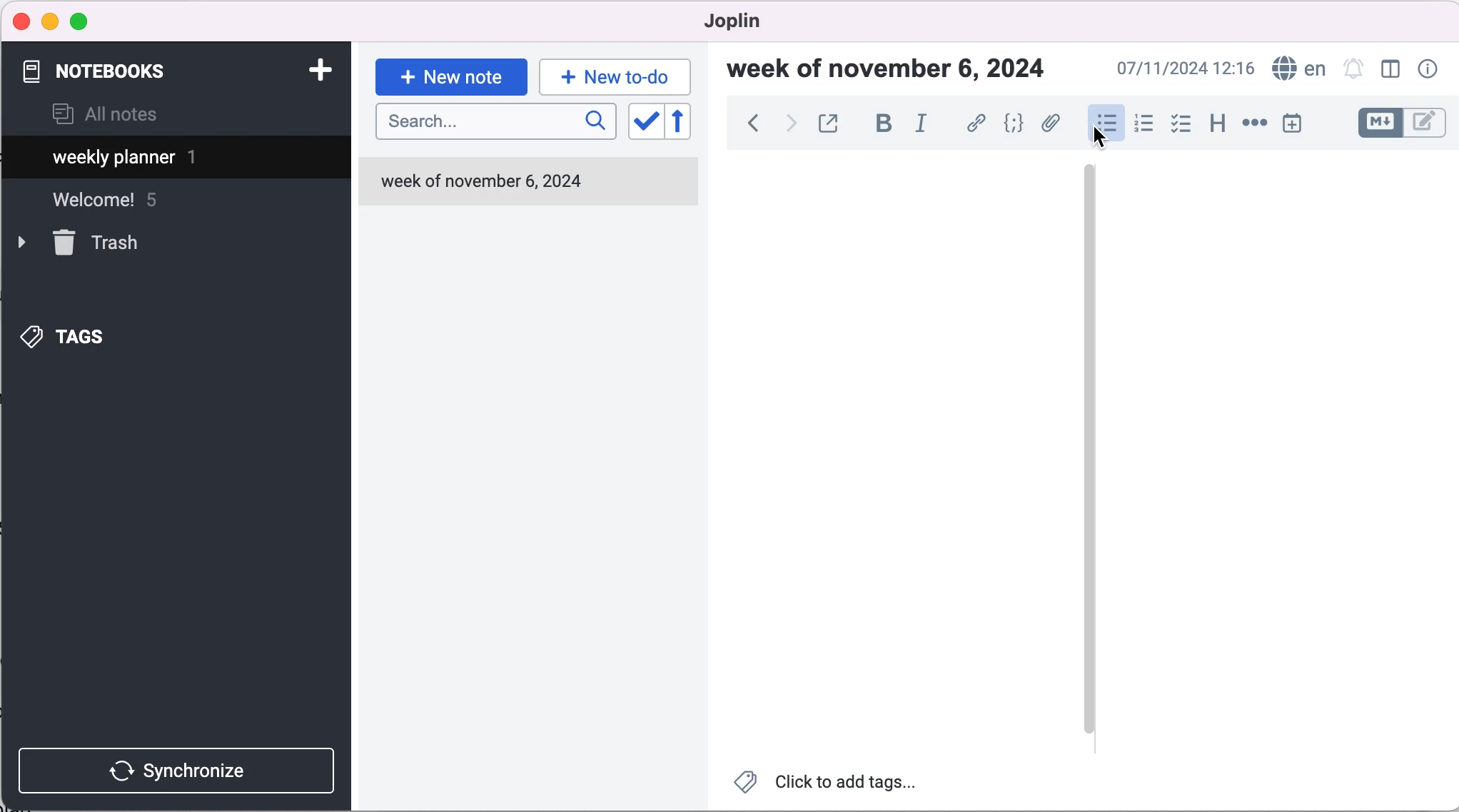 The height and width of the screenshot is (812, 1459). What do you see at coordinates (1430, 68) in the screenshot?
I see `properties note` at bounding box center [1430, 68].